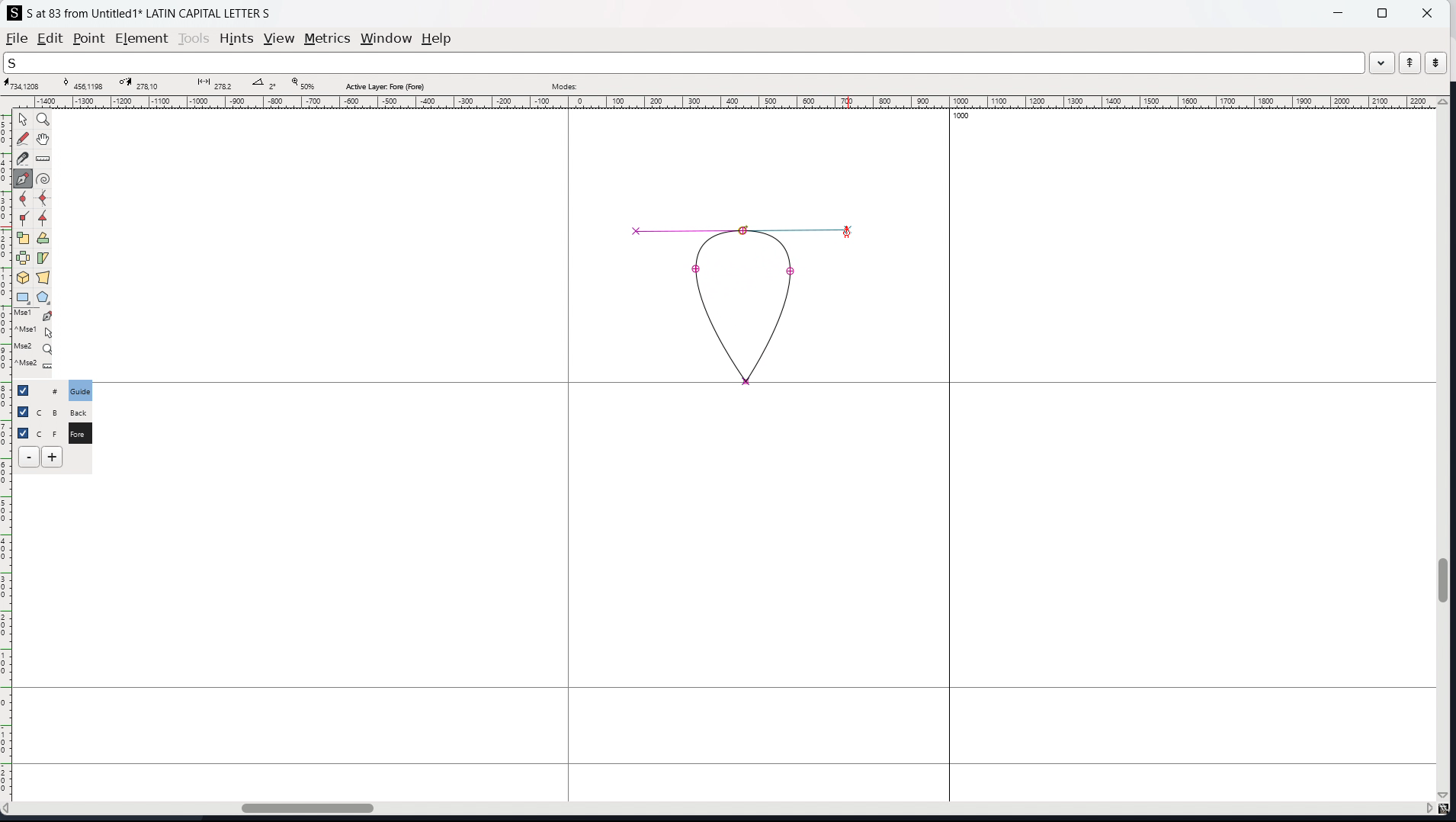 Image resolution: width=1456 pixels, height=822 pixels. I want to click on curve point coordinate, so click(86, 84).